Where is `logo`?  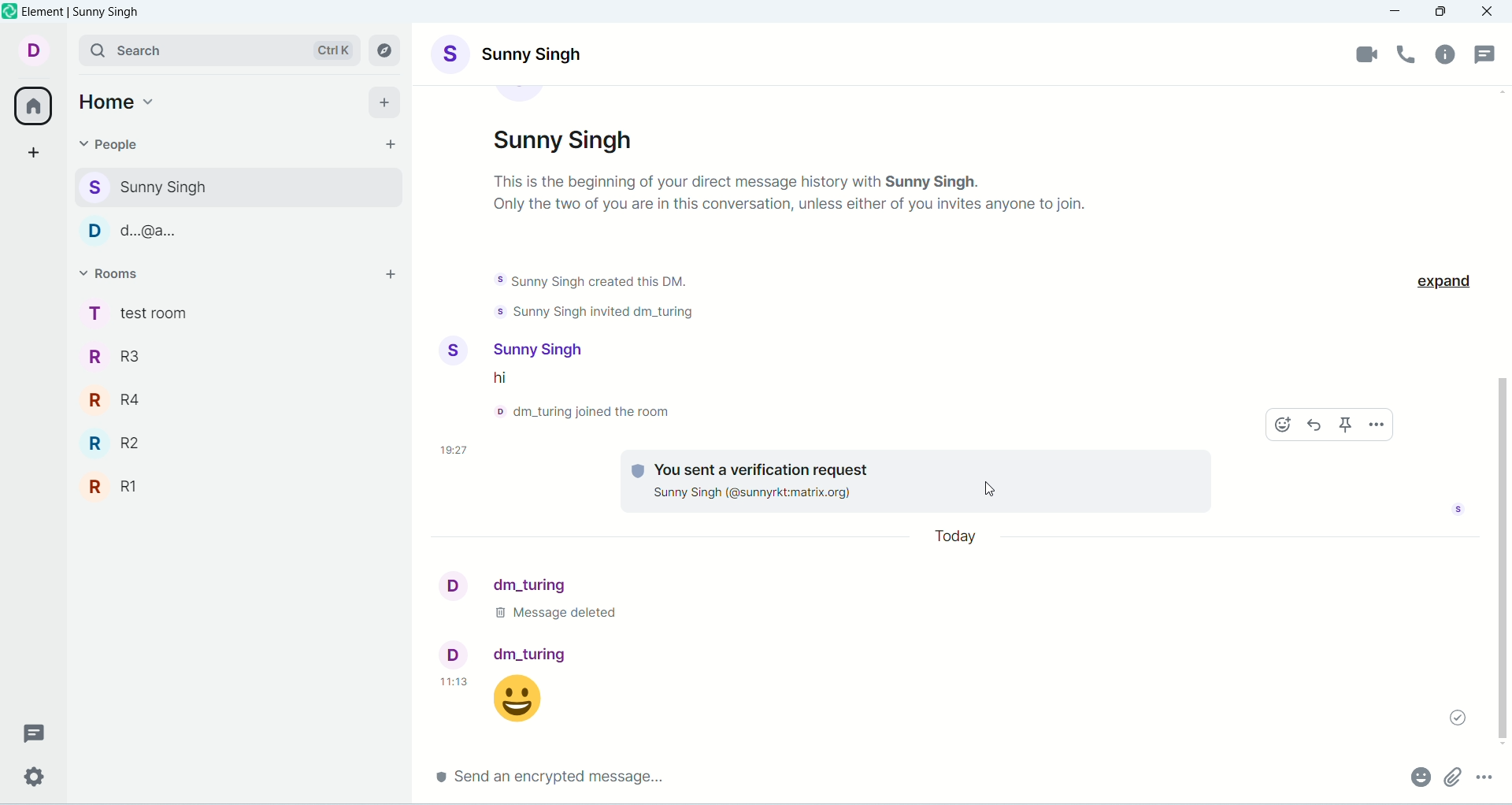
logo is located at coordinates (10, 10).